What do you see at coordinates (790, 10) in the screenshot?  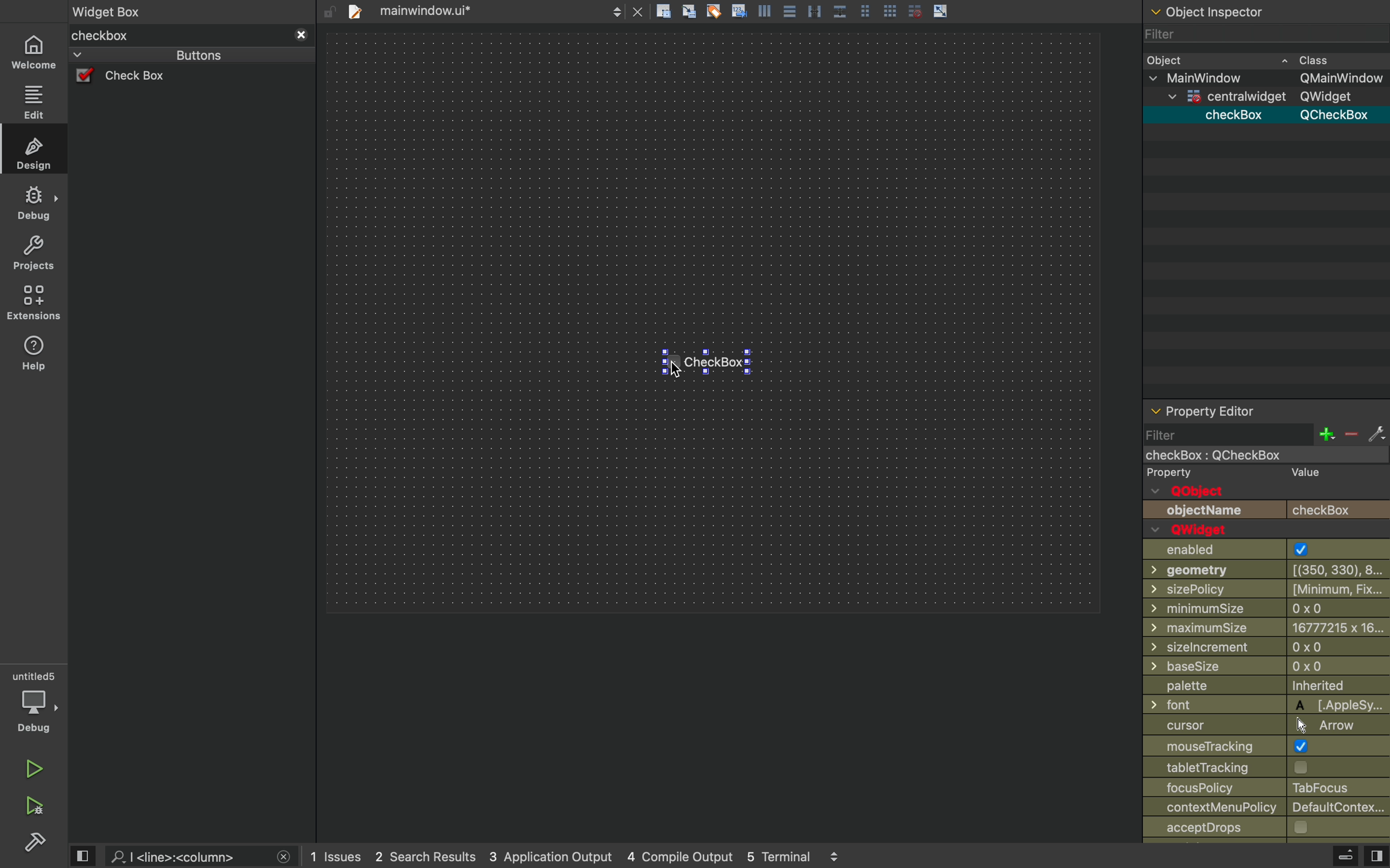 I see `align center` at bounding box center [790, 10].